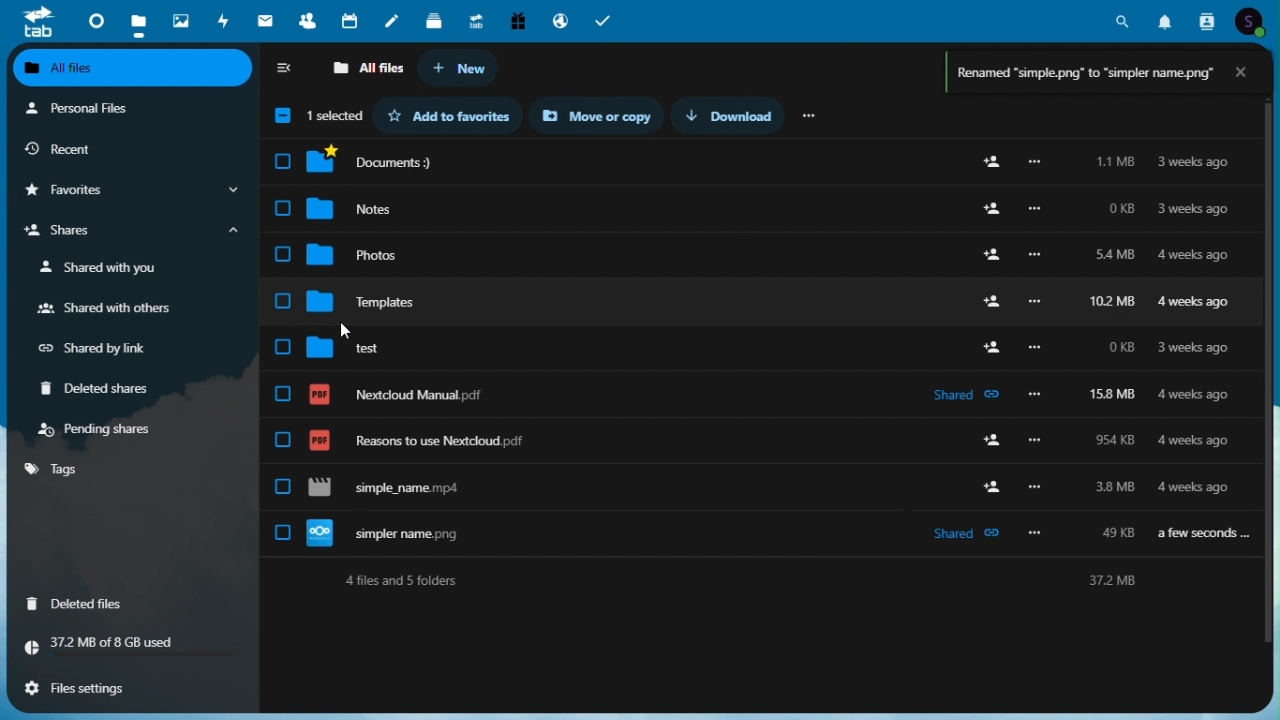  What do you see at coordinates (227, 20) in the screenshot?
I see `activity` at bounding box center [227, 20].